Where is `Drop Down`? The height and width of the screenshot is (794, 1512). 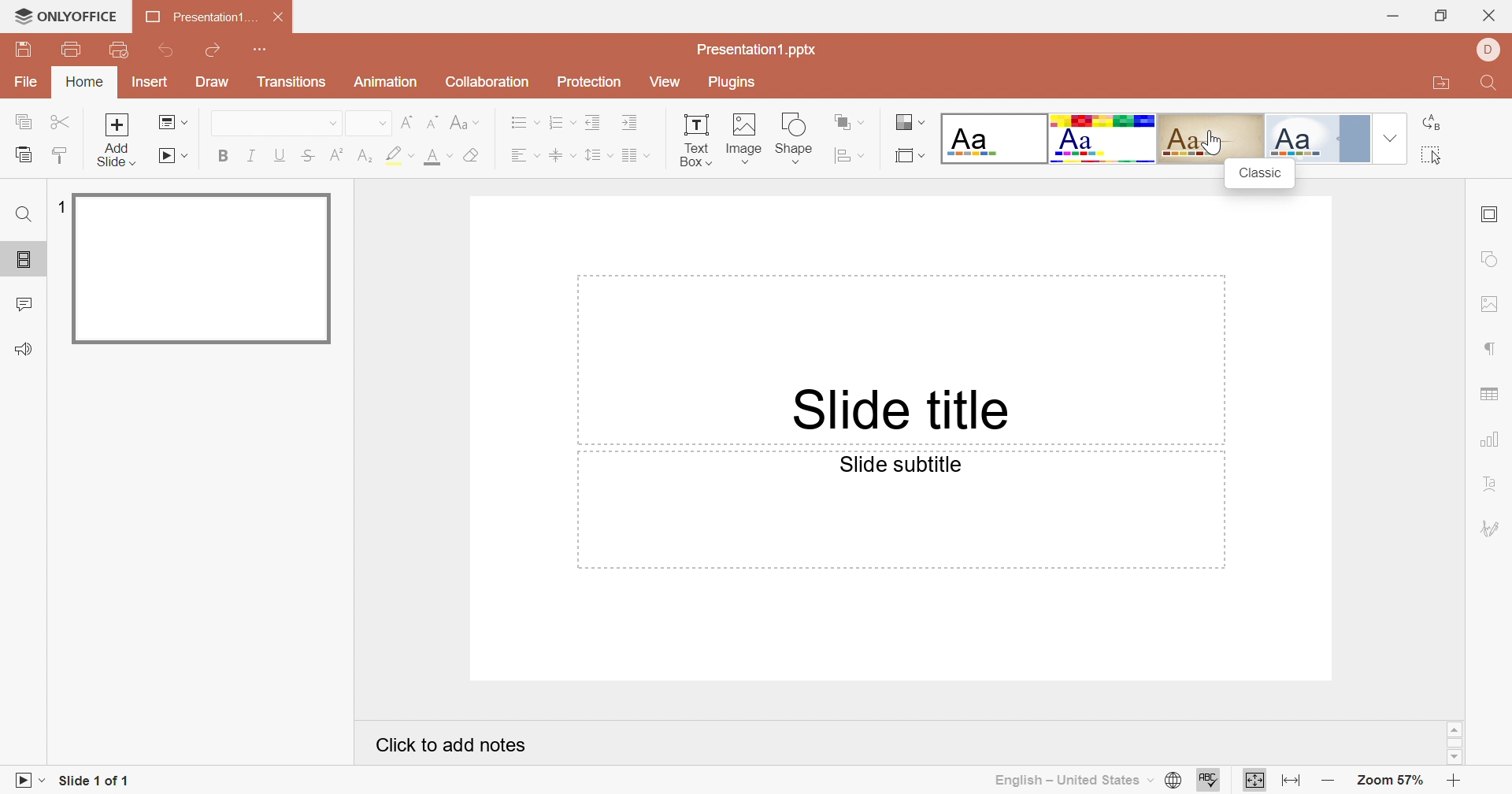
Drop Down is located at coordinates (477, 123).